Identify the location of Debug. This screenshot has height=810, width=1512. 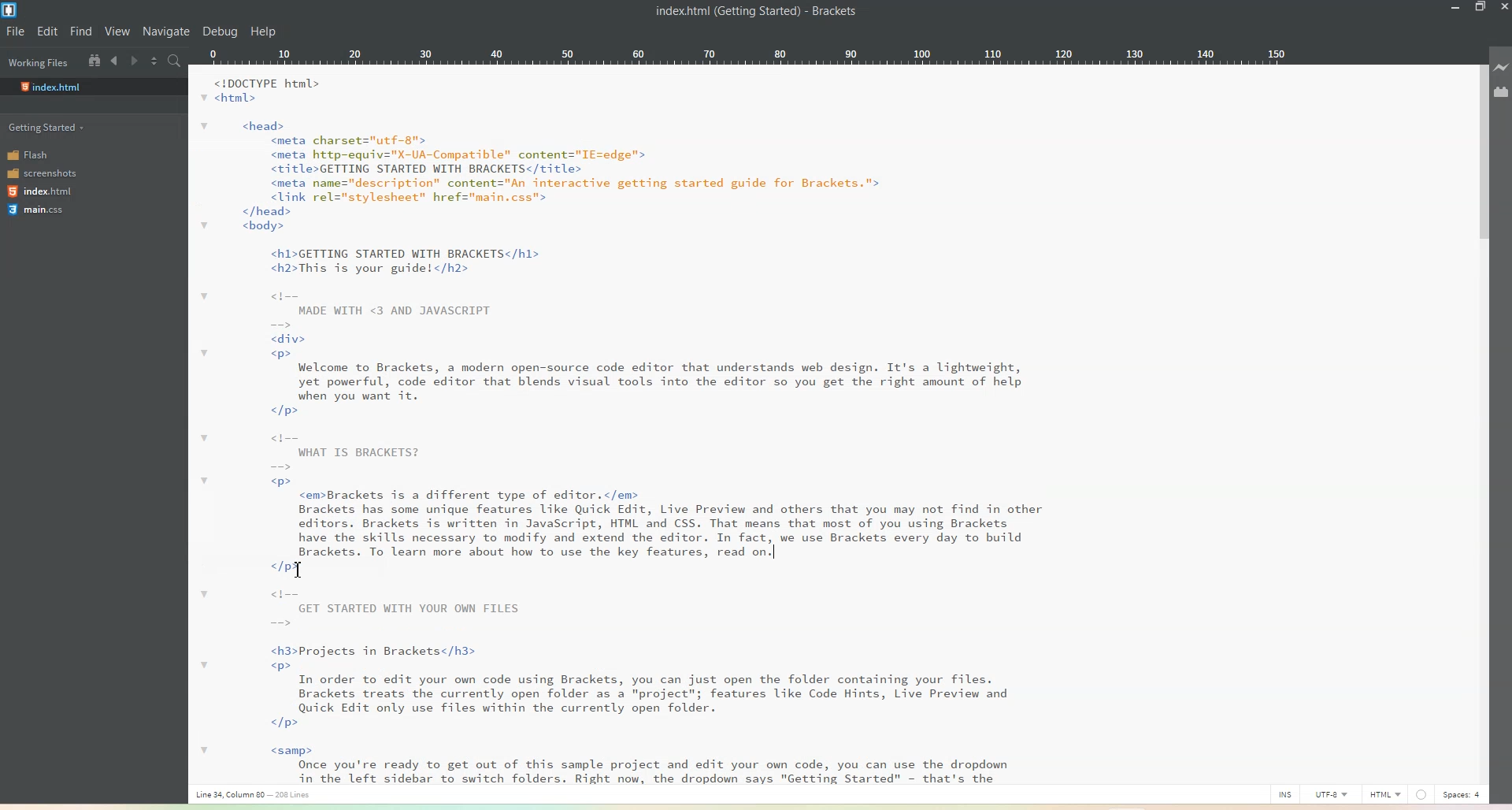
(220, 32).